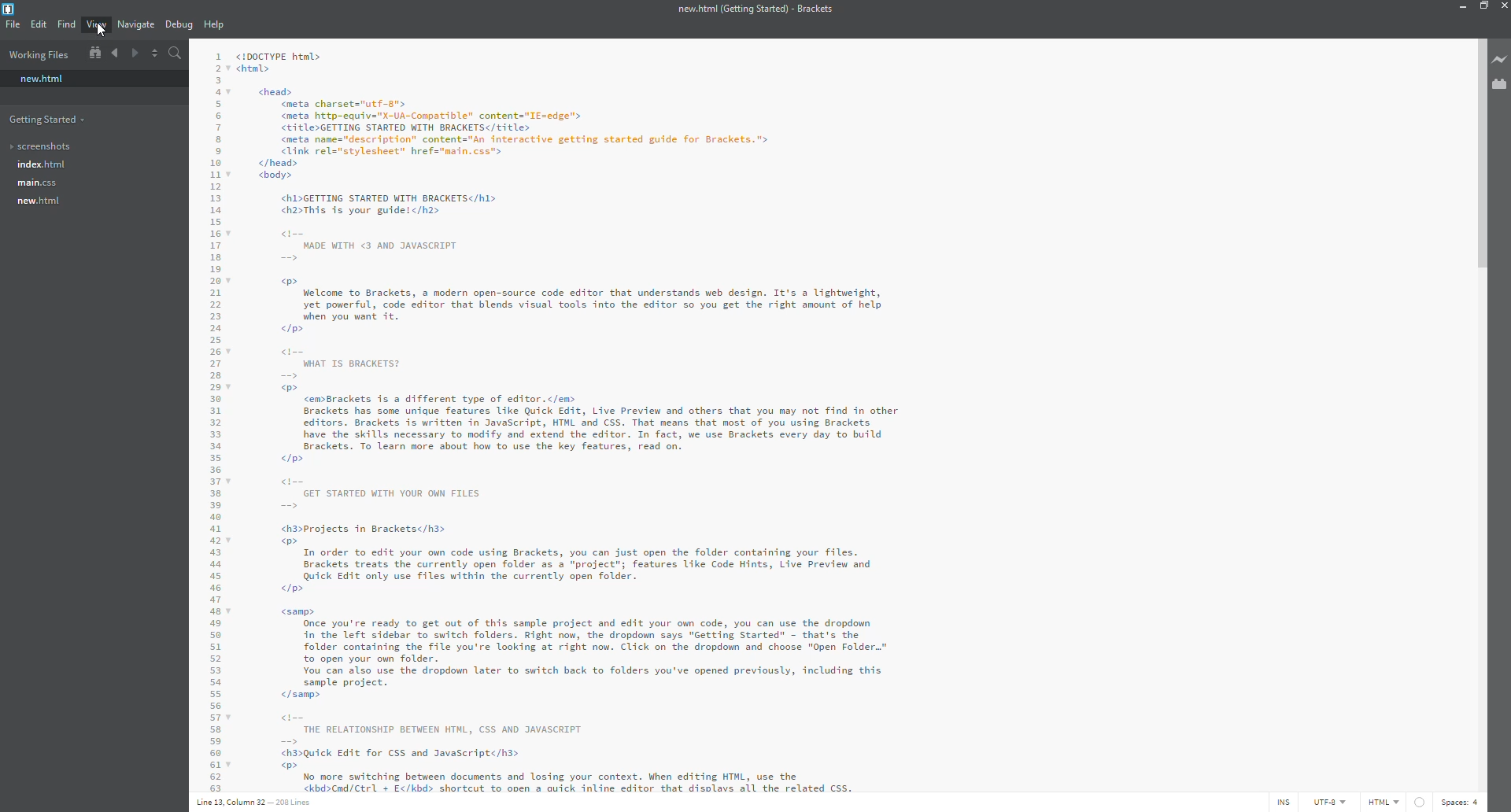 The width and height of the screenshot is (1511, 812). I want to click on navigate, so click(135, 24).